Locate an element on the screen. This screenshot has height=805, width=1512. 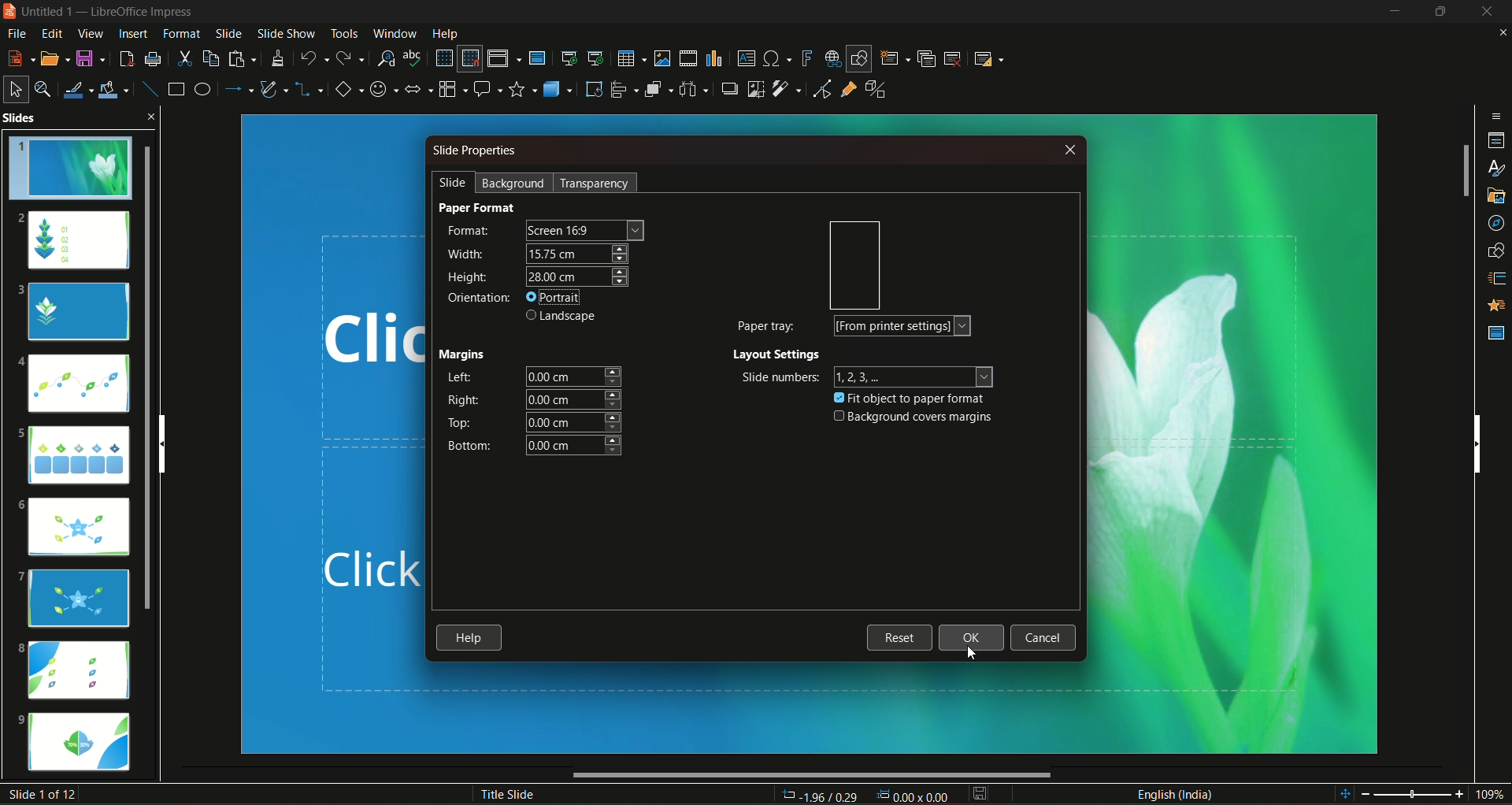
show draw functions is located at coordinates (858, 57).